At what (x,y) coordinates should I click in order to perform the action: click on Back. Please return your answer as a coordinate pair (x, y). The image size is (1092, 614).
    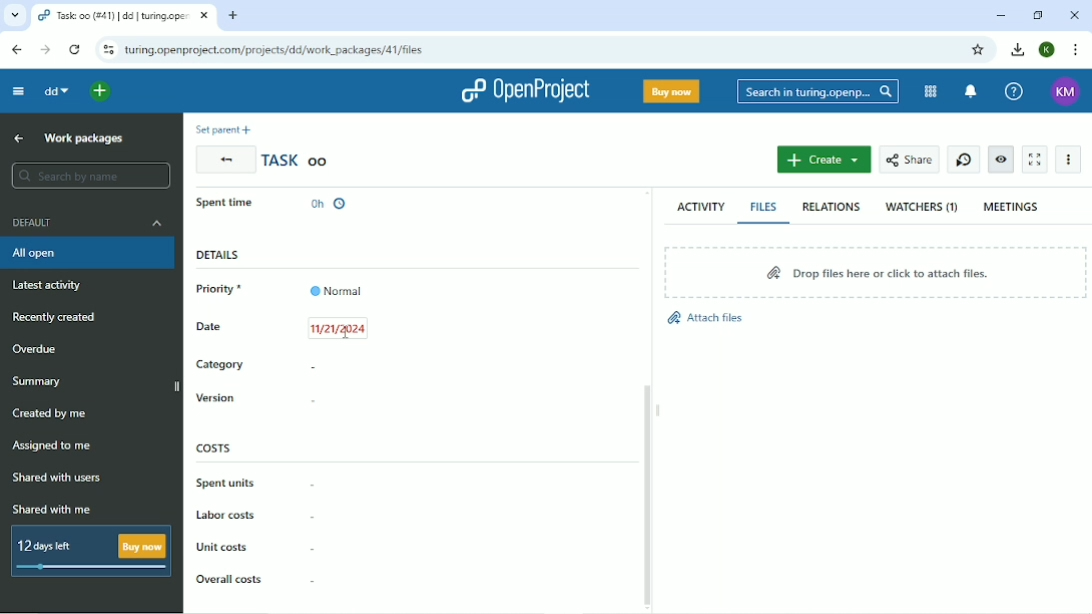
    Looking at the image, I should click on (18, 50).